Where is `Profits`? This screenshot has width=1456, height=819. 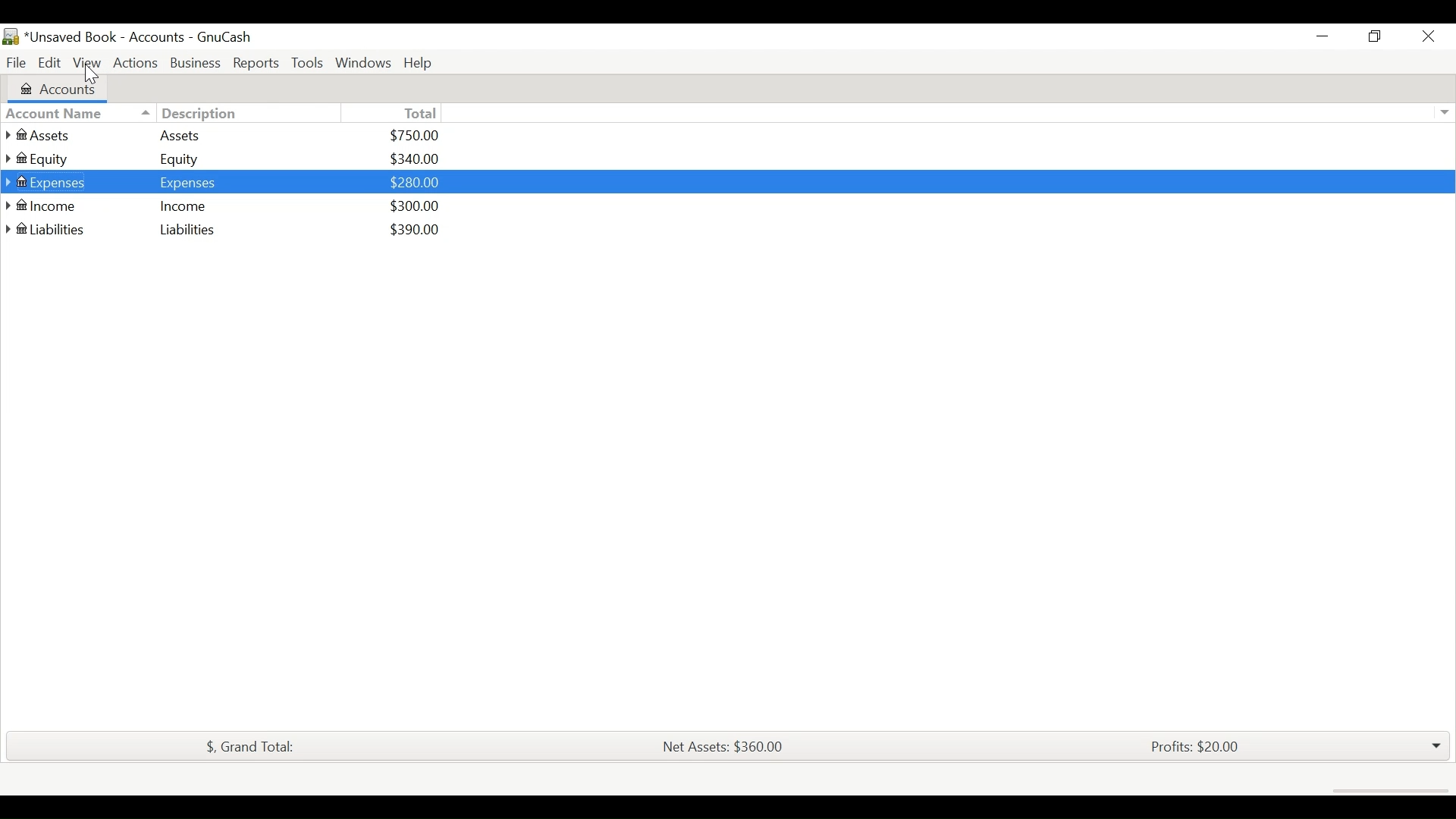 Profits is located at coordinates (1196, 748).